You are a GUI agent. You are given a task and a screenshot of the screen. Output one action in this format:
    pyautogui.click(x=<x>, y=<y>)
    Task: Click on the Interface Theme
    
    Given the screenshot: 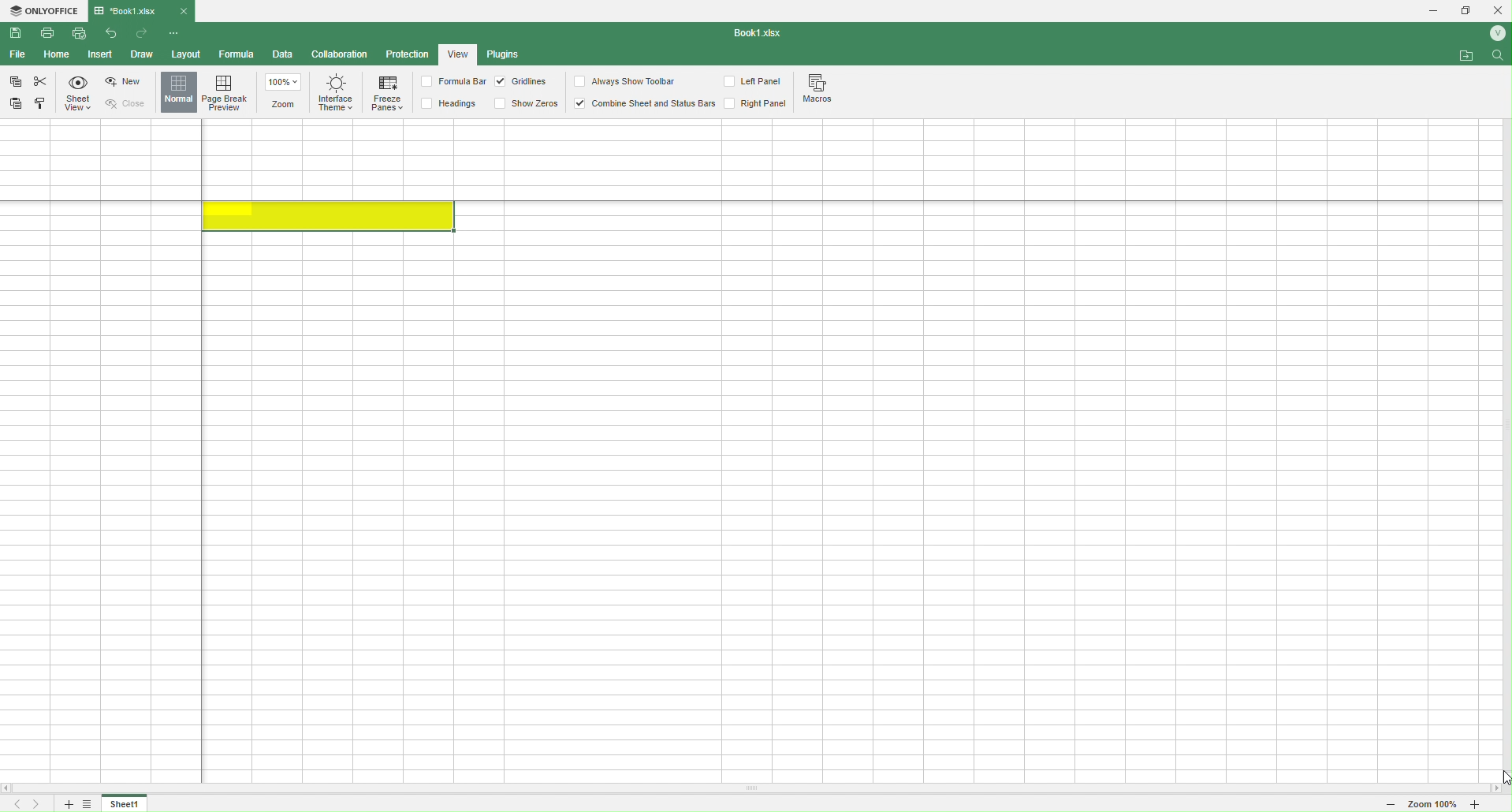 What is the action you would take?
    pyautogui.click(x=335, y=98)
    